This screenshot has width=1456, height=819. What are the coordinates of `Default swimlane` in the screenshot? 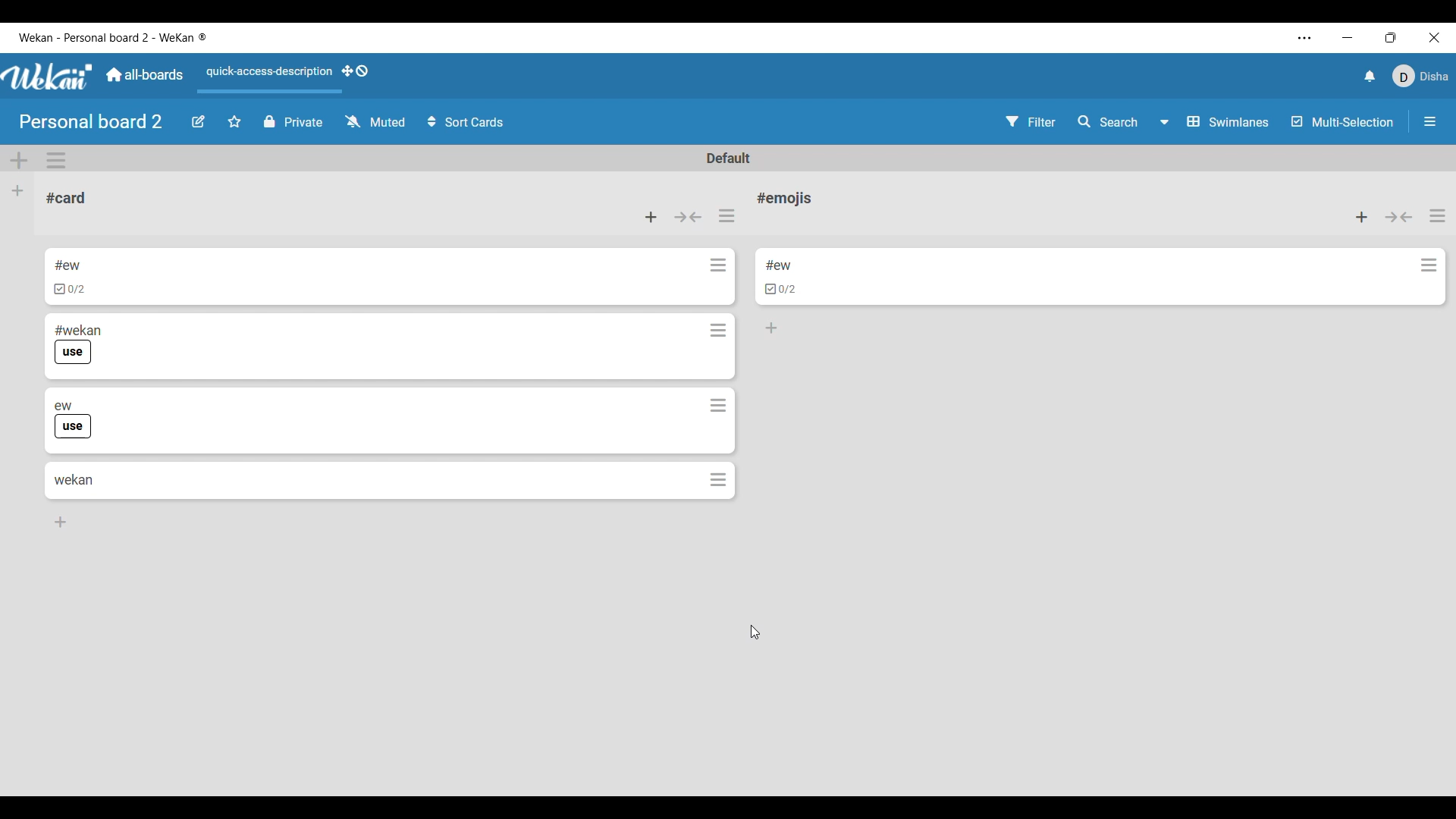 It's located at (730, 158).